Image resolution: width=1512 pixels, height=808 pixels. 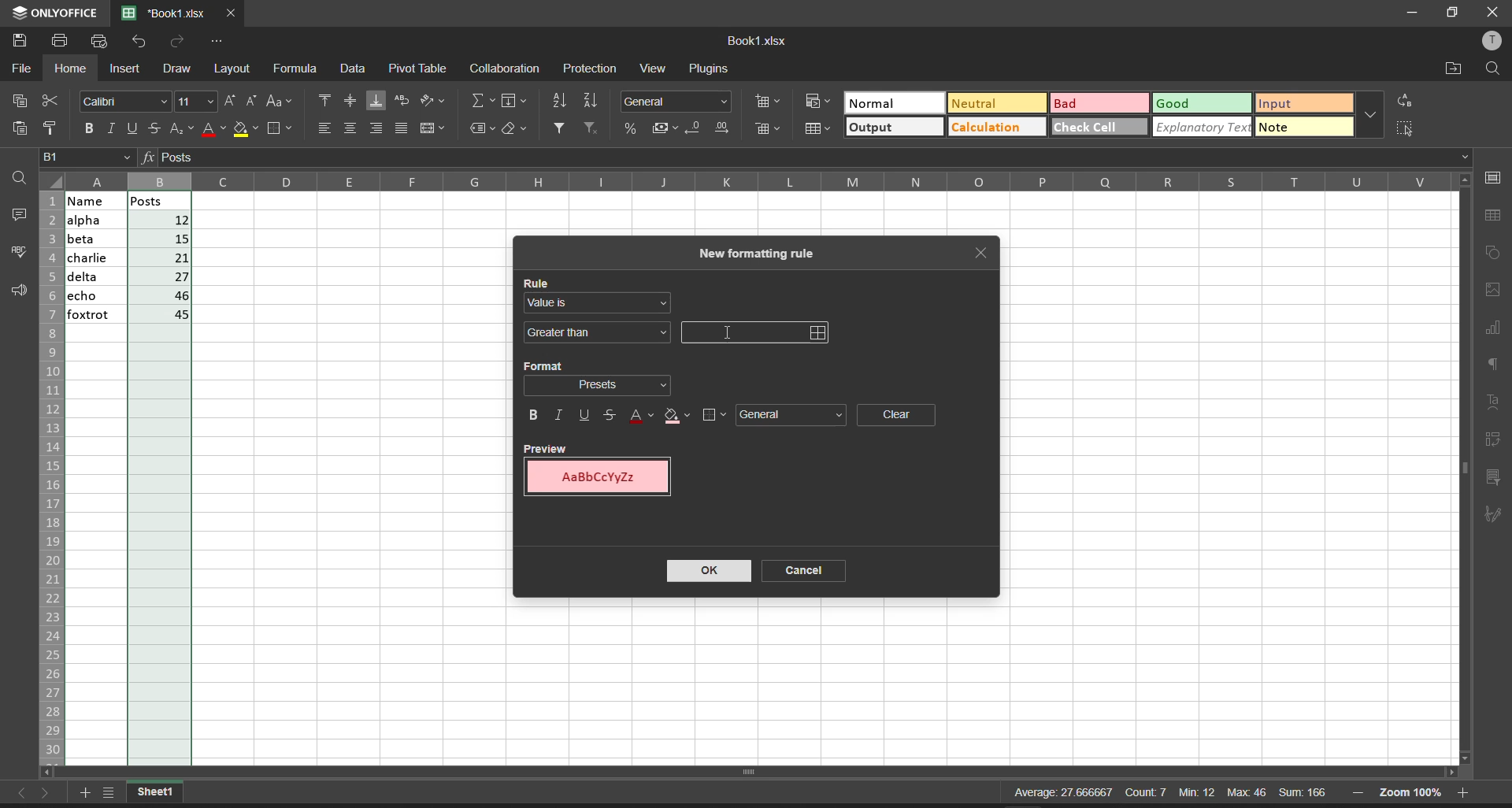 I want to click on save, so click(x=22, y=41).